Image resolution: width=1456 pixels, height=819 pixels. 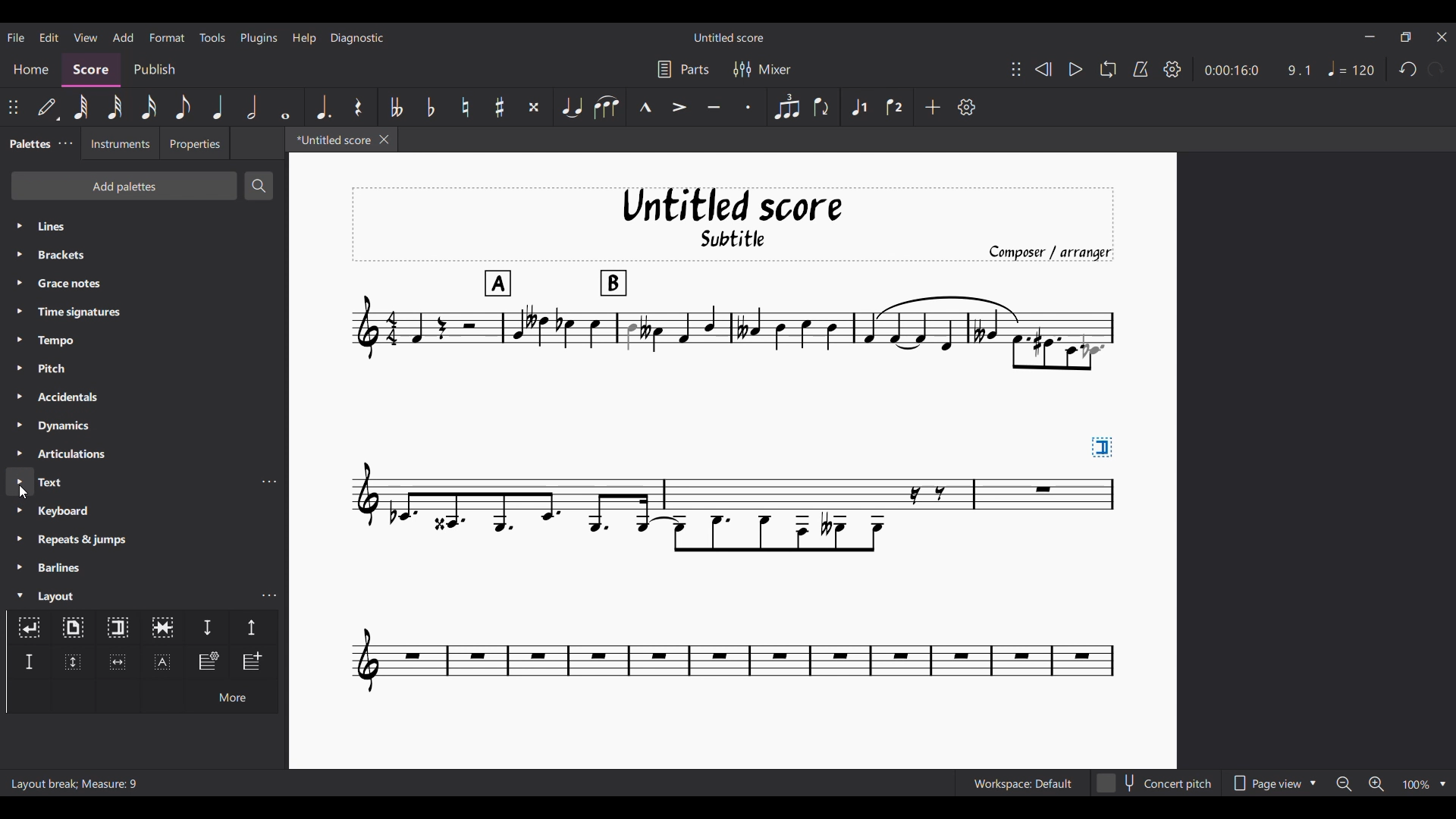 What do you see at coordinates (29, 627) in the screenshot?
I see `System break` at bounding box center [29, 627].